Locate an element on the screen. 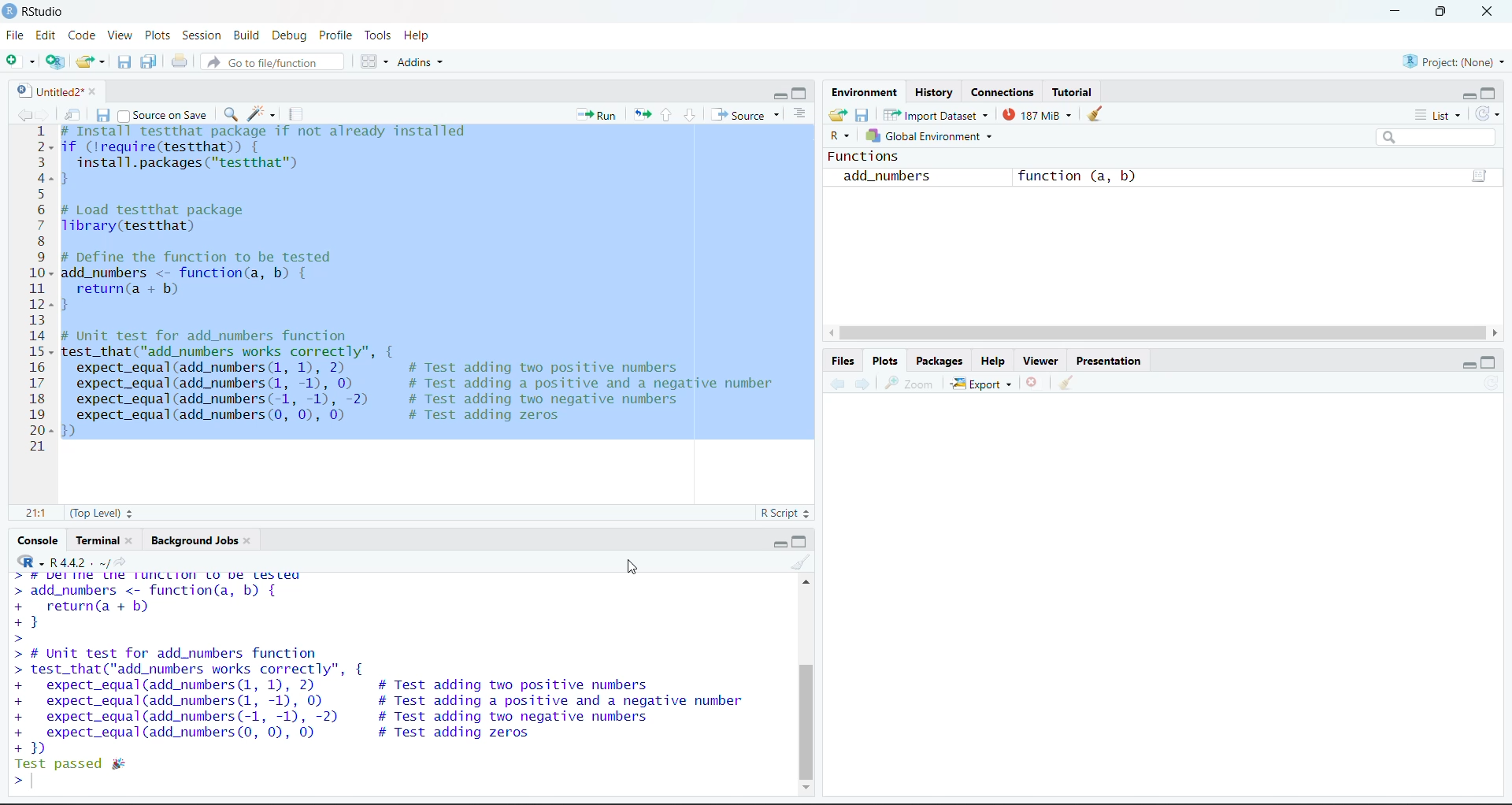  close is located at coordinates (249, 539).